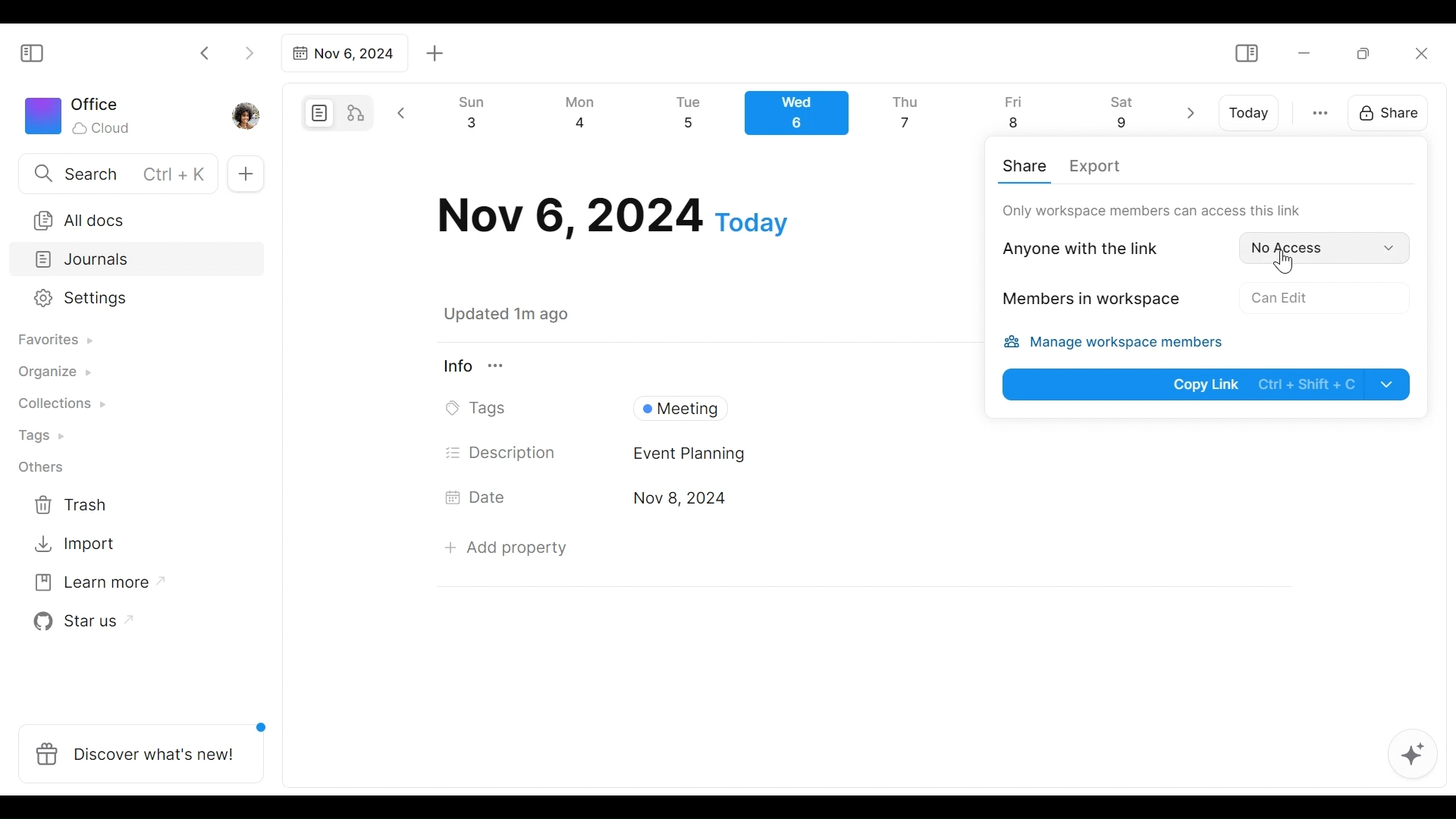 Image resolution: width=1456 pixels, height=819 pixels. Describe the element at coordinates (803, 117) in the screenshot. I see `Calendar` at that location.